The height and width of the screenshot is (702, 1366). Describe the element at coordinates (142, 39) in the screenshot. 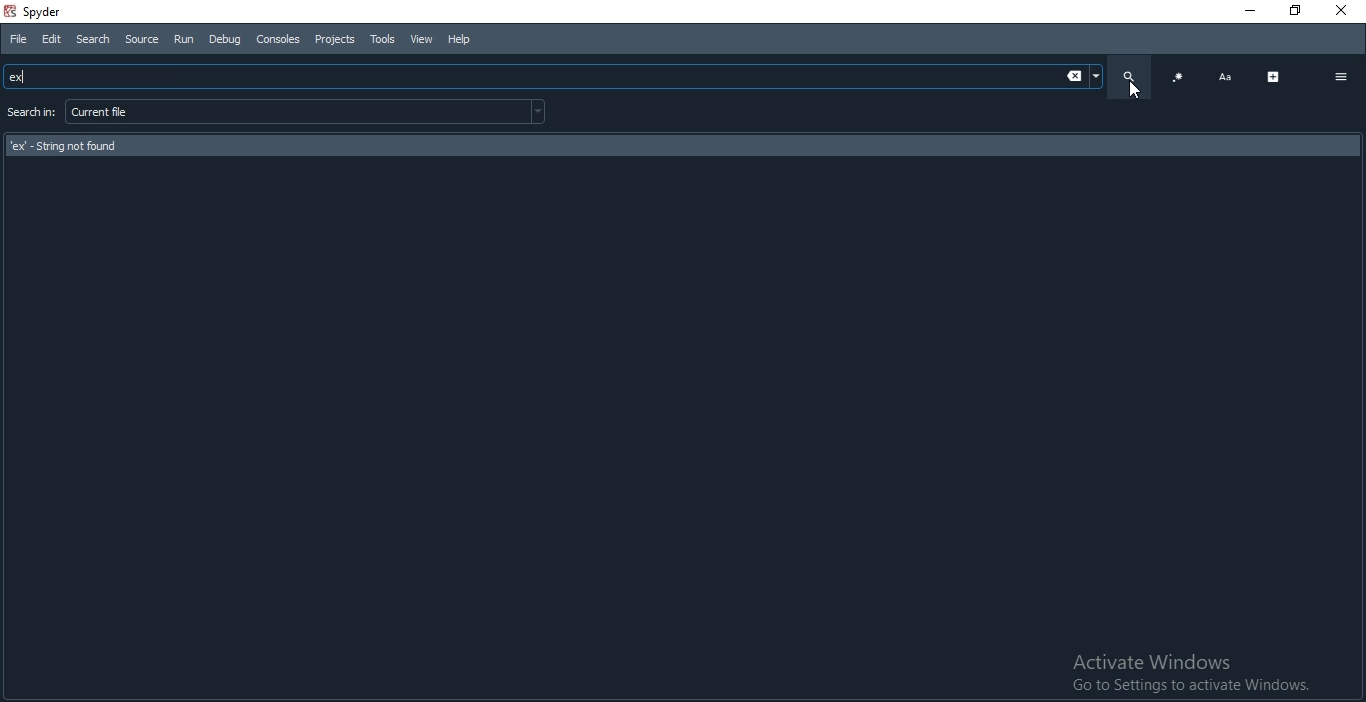

I see `Source` at that location.